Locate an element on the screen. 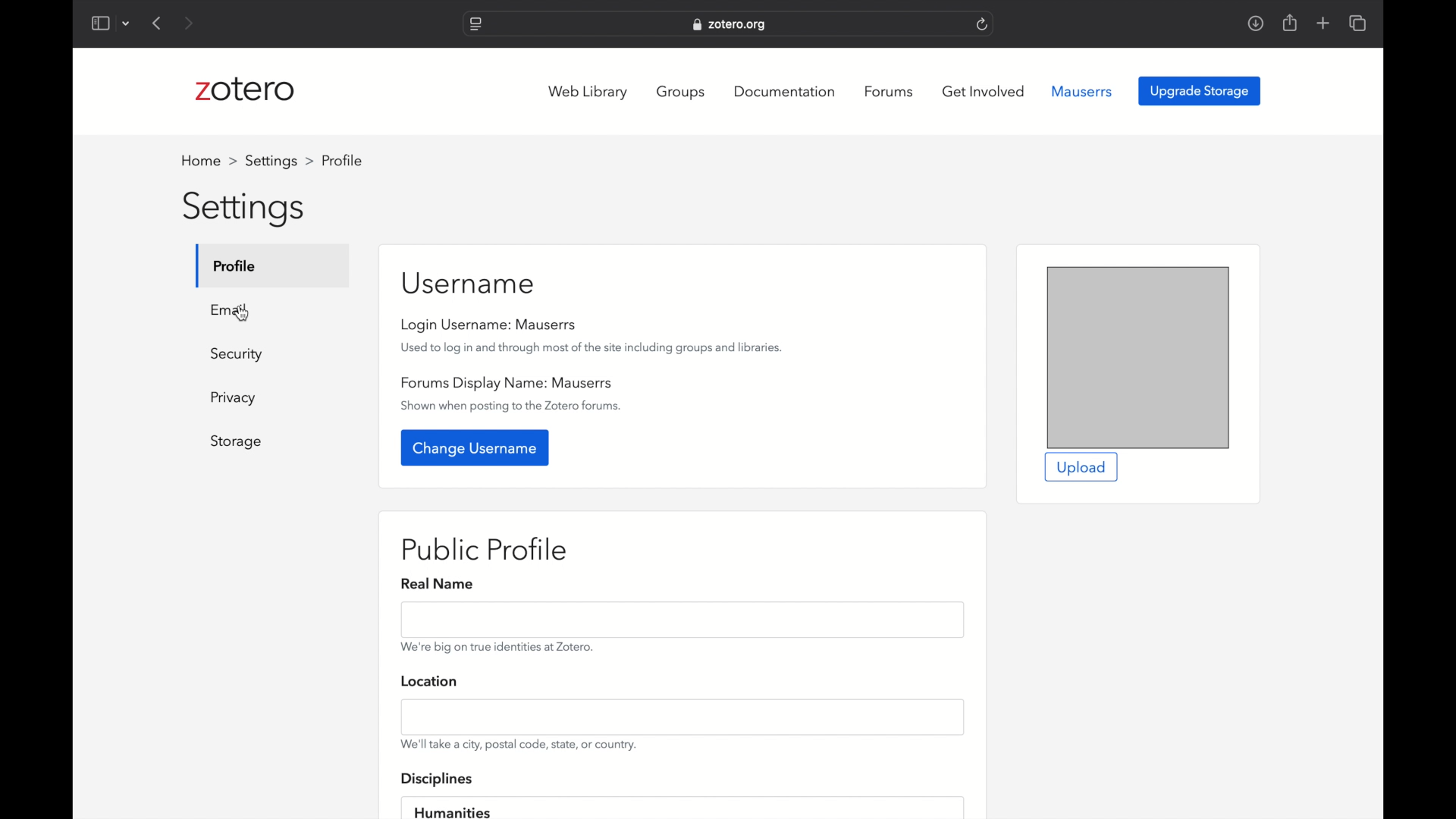  next is located at coordinates (191, 24).